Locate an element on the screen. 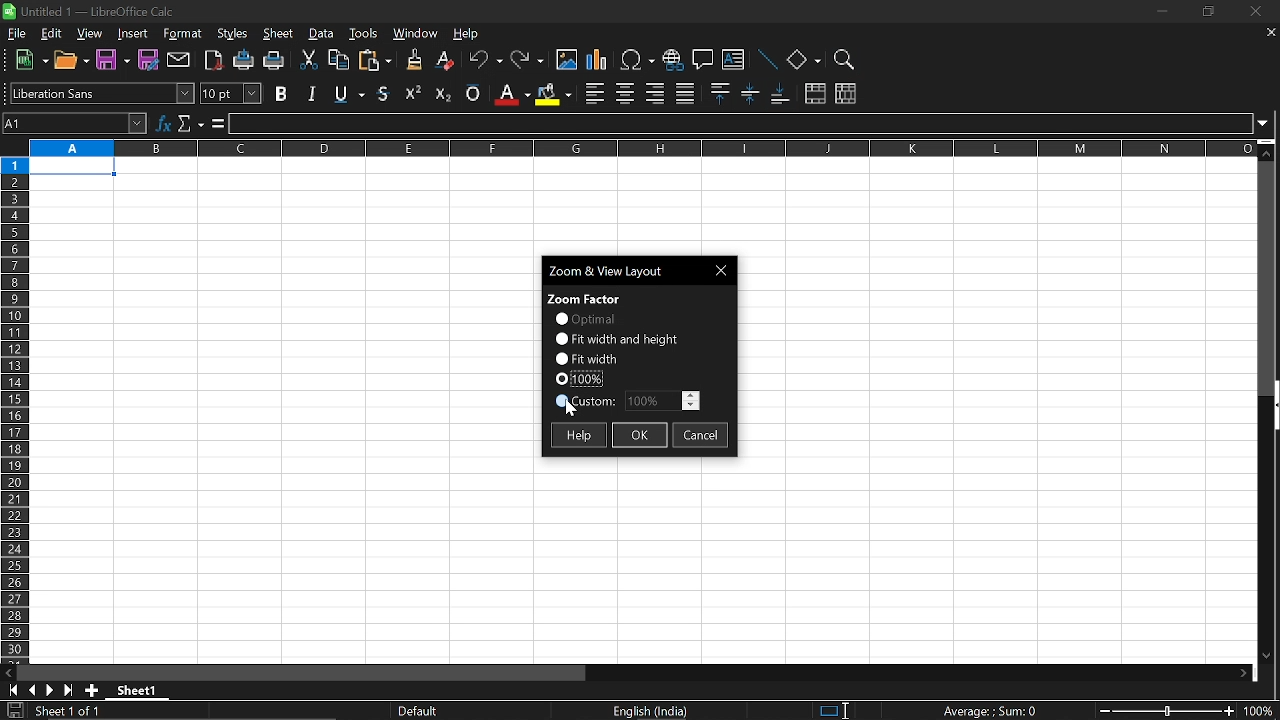 This screenshot has width=1280, height=720. add sheet is located at coordinates (90, 690).